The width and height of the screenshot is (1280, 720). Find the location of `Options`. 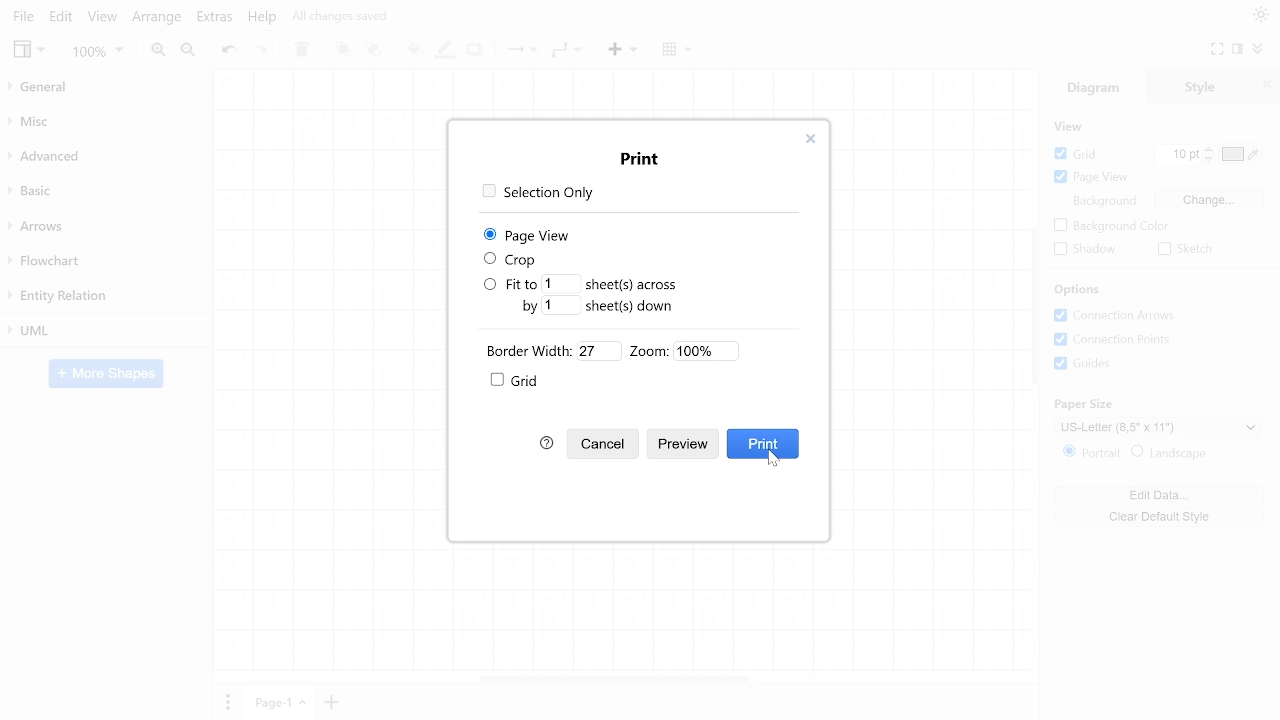

Options is located at coordinates (1079, 290).